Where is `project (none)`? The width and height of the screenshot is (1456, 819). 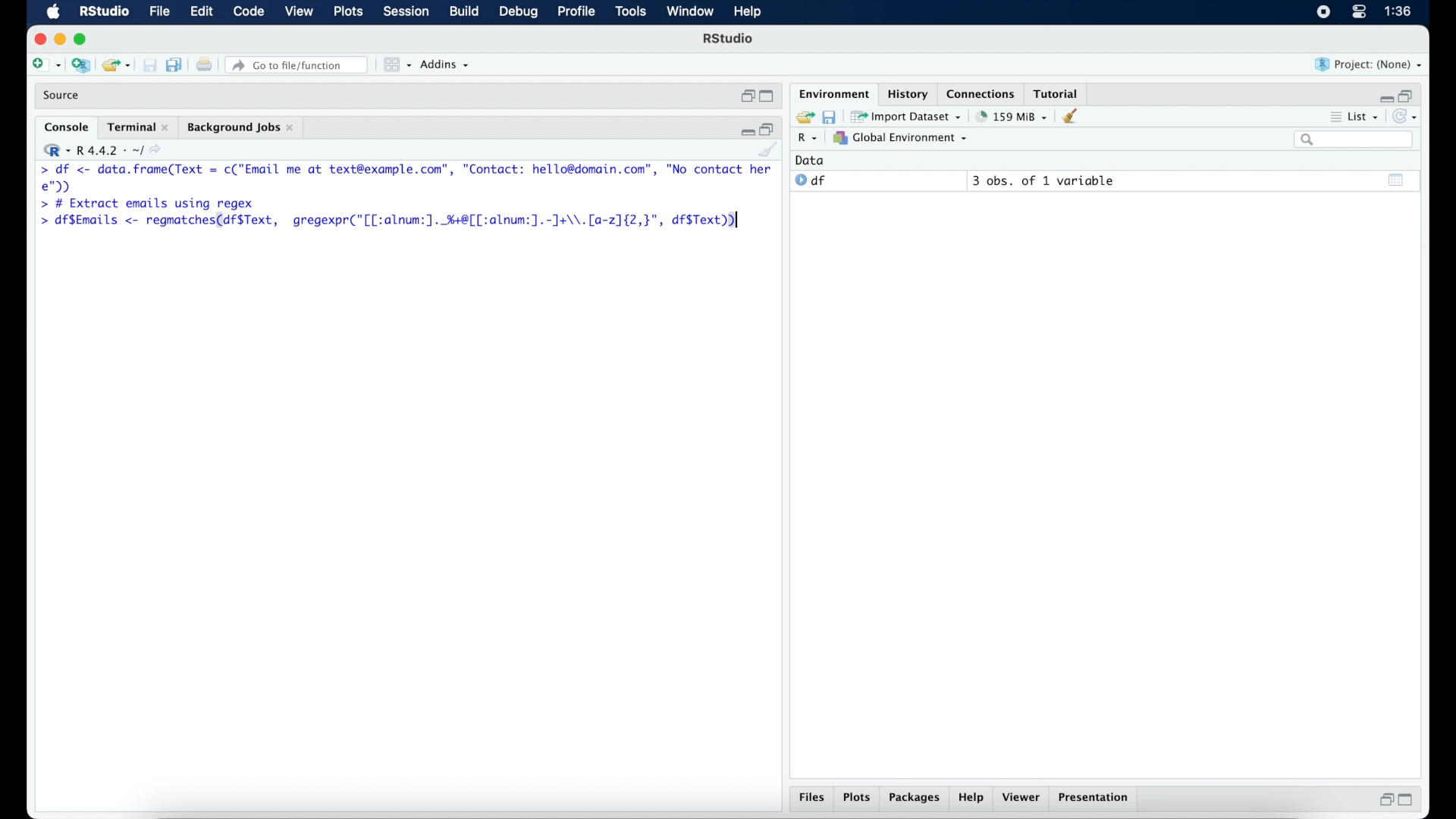
project (none) is located at coordinates (1370, 65).